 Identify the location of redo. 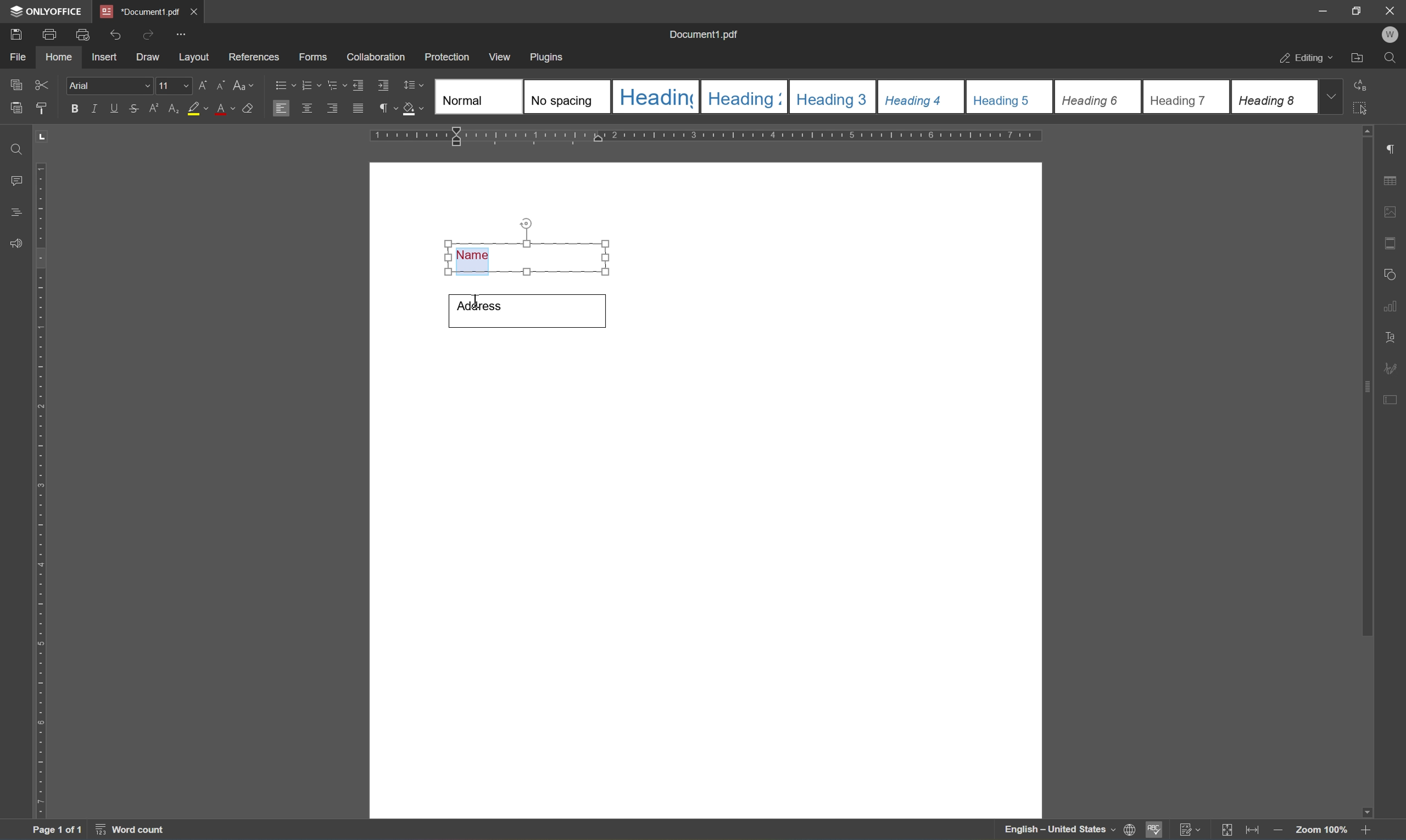
(145, 34).